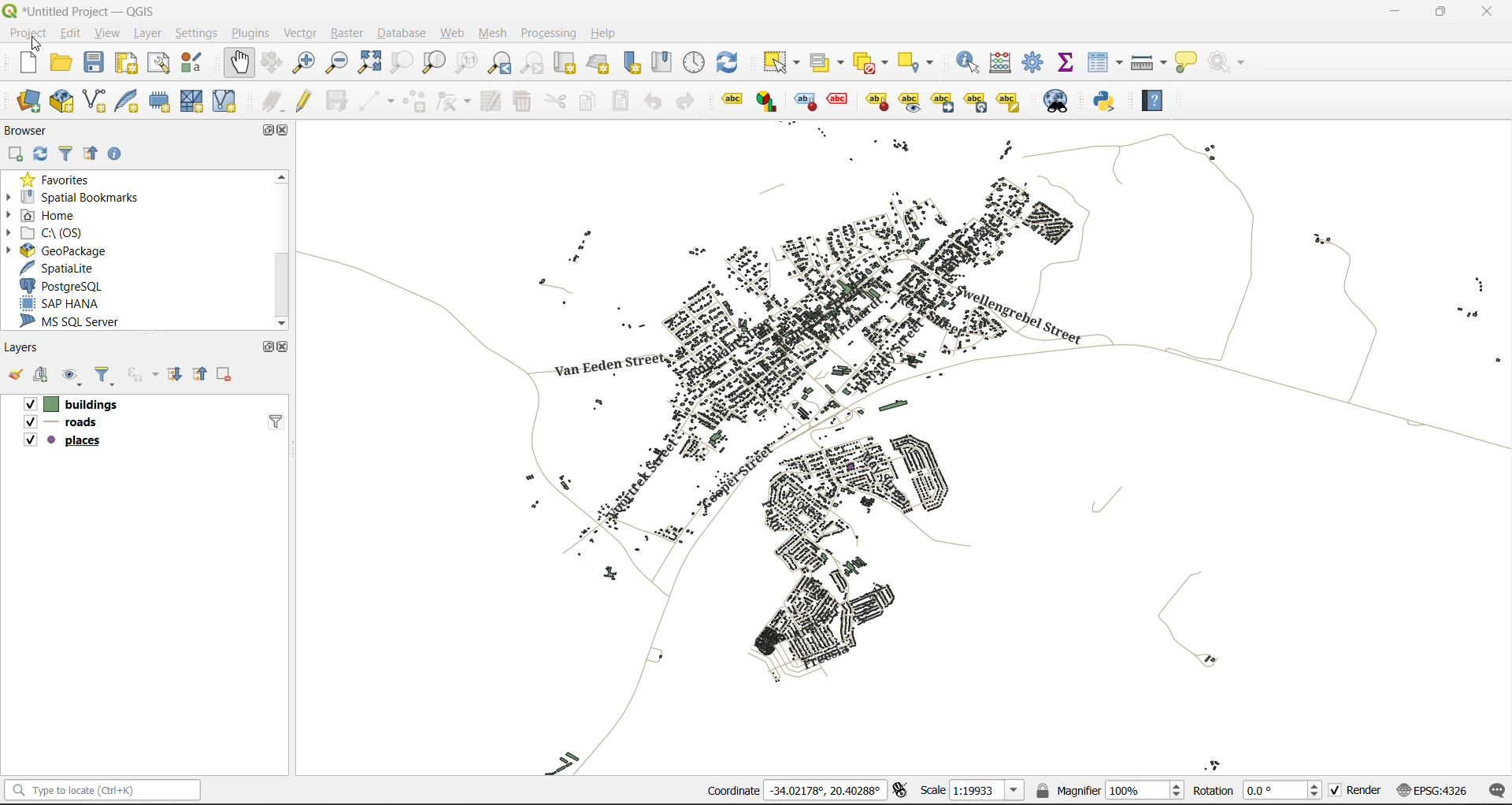 The width and height of the screenshot is (1512, 805). I want to click on zoom native, so click(467, 63).